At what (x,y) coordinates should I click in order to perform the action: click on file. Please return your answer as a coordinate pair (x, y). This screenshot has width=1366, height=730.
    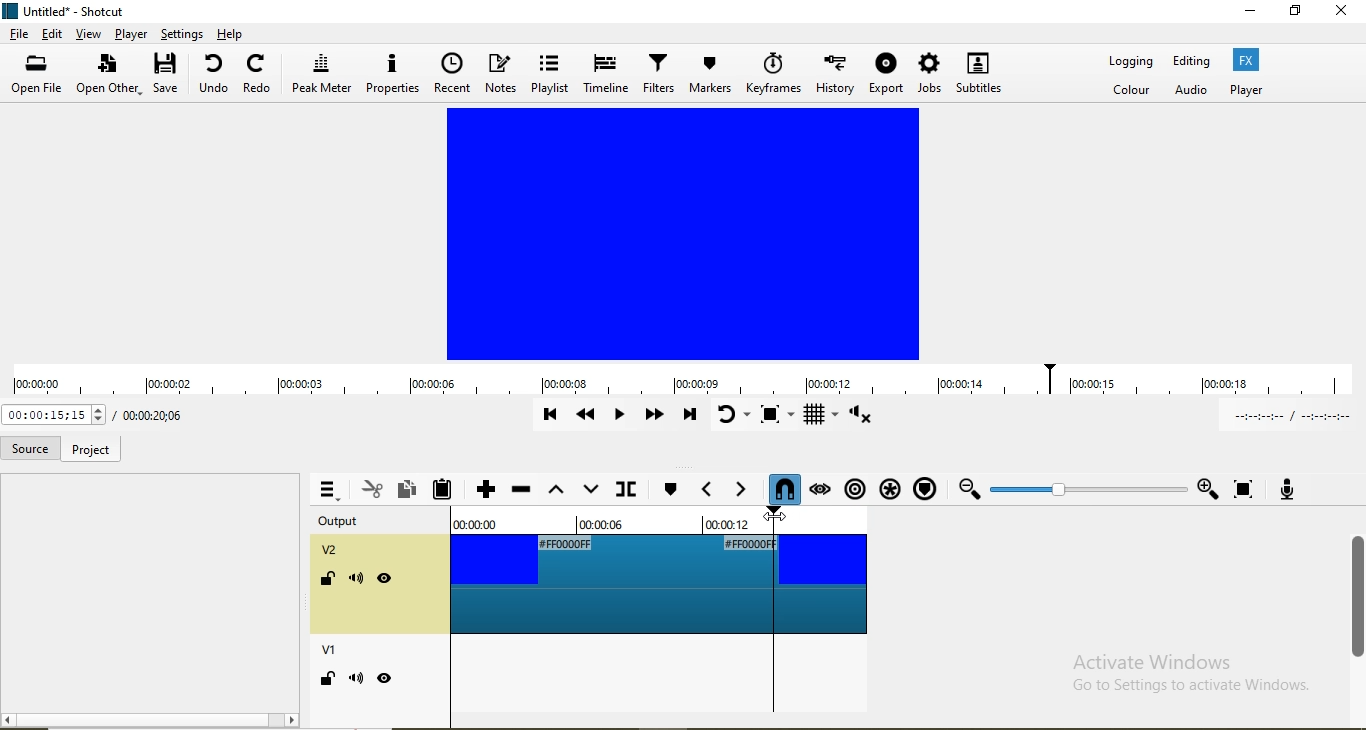
    Looking at the image, I should click on (19, 36).